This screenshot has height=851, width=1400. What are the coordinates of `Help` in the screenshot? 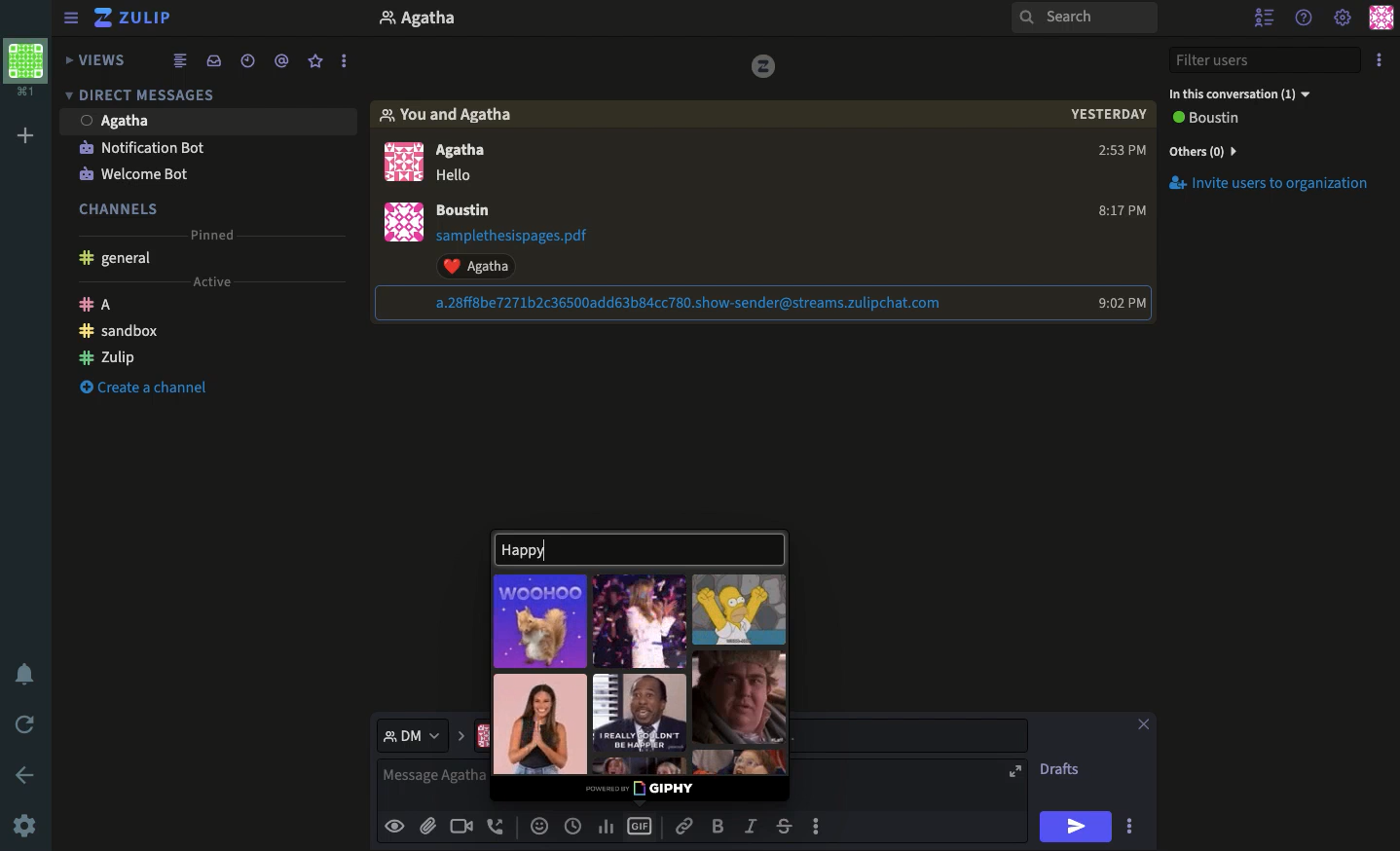 It's located at (1306, 18).